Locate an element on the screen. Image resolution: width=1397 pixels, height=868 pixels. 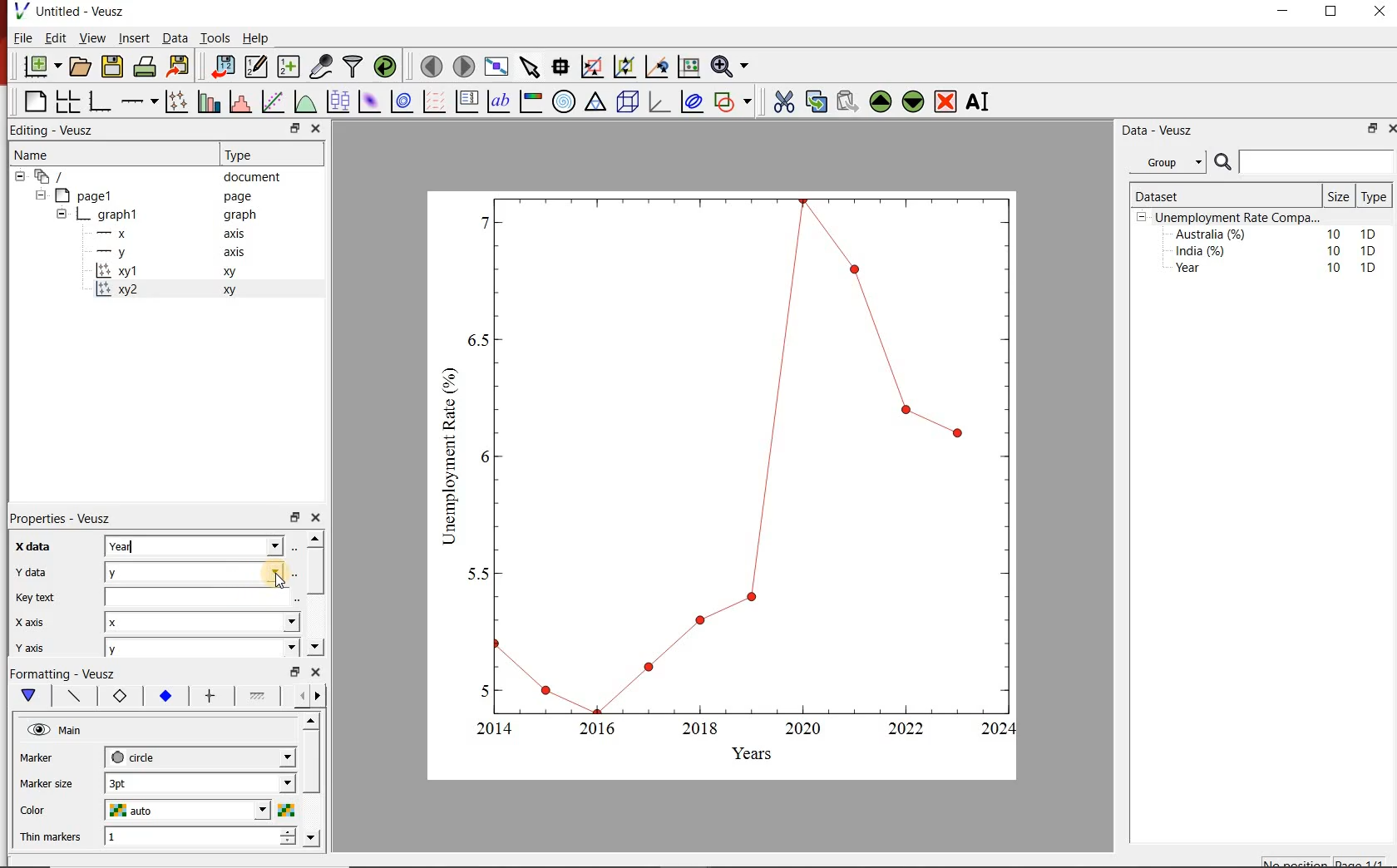
search bar is located at coordinates (1302, 162).